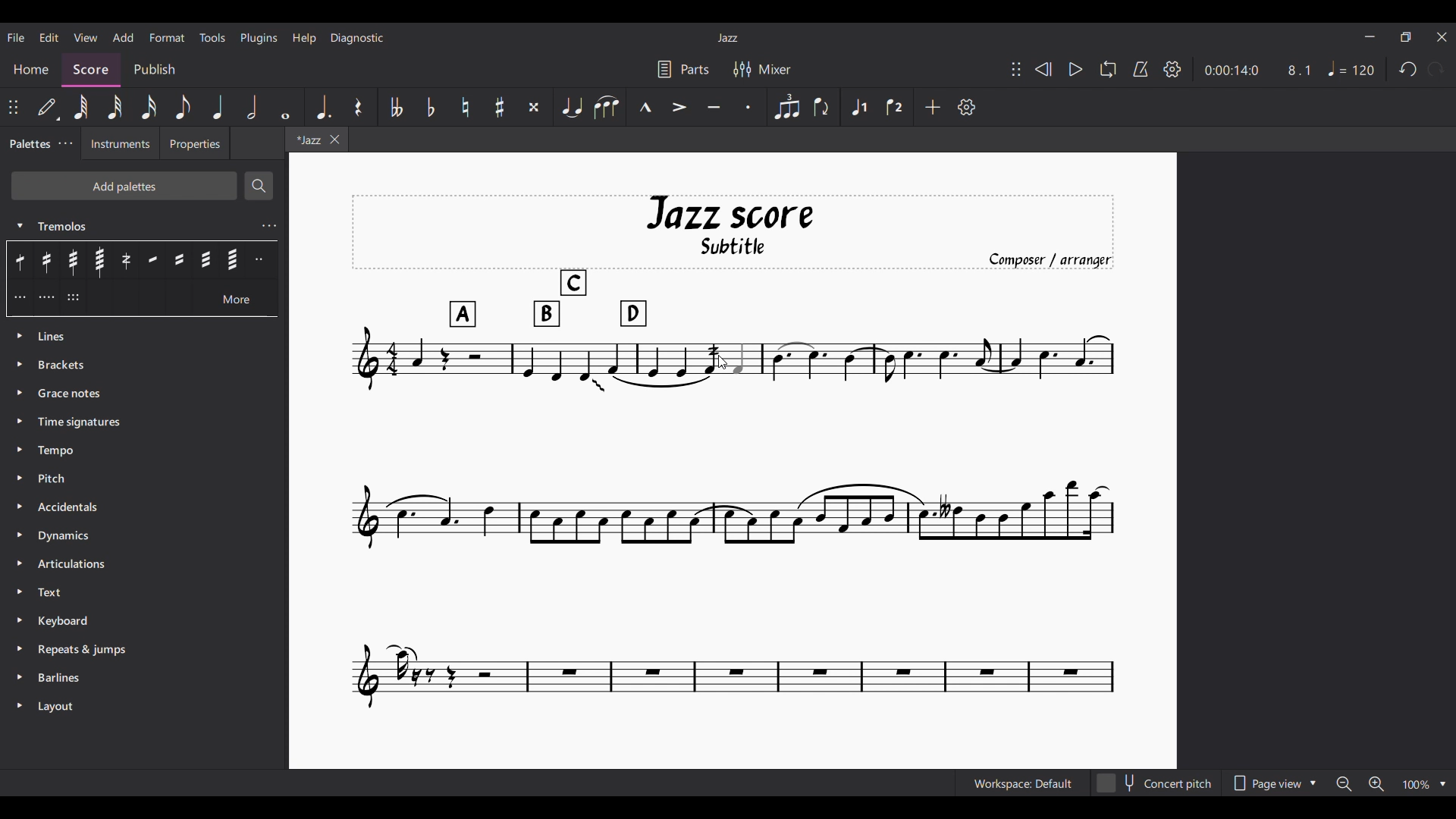  Describe the element at coordinates (334, 139) in the screenshot. I see `Close tab` at that location.